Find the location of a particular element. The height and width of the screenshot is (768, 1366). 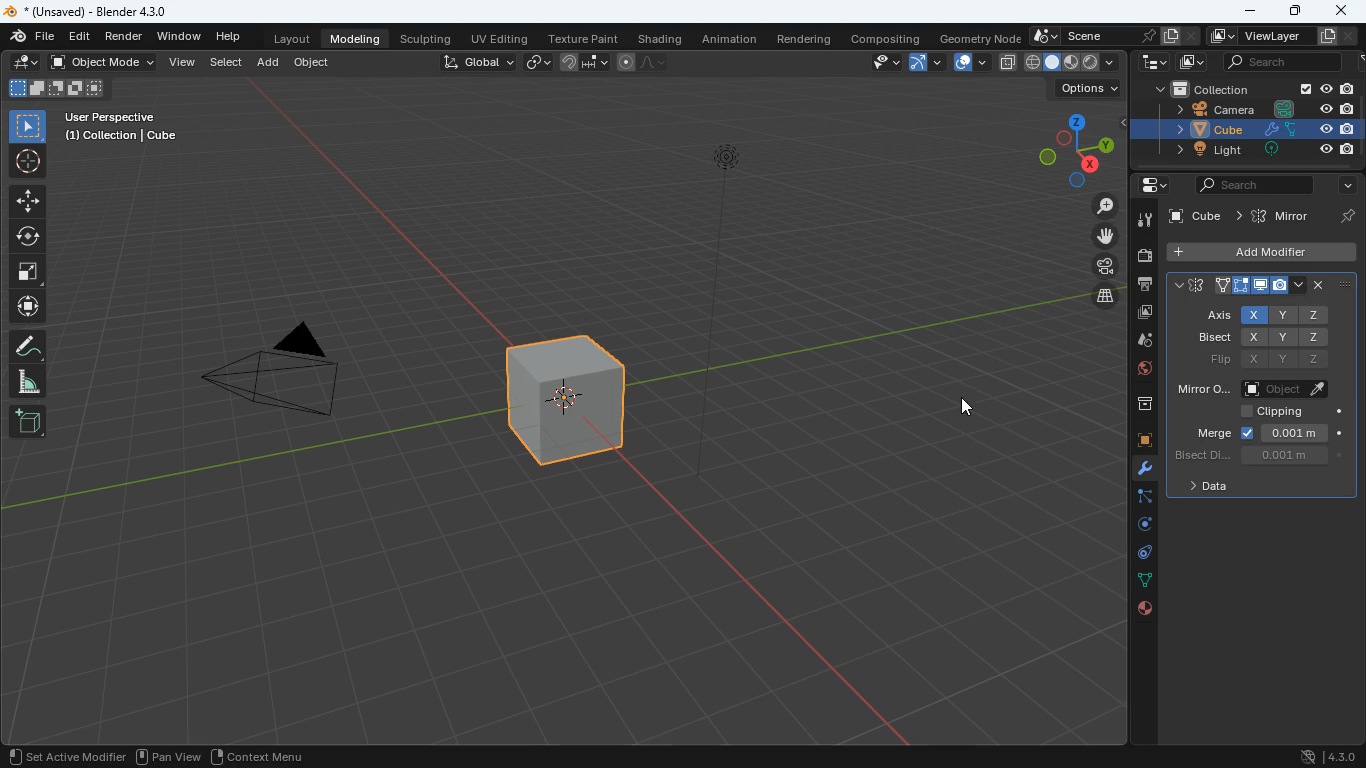

settings is located at coordinates (1149, 185).